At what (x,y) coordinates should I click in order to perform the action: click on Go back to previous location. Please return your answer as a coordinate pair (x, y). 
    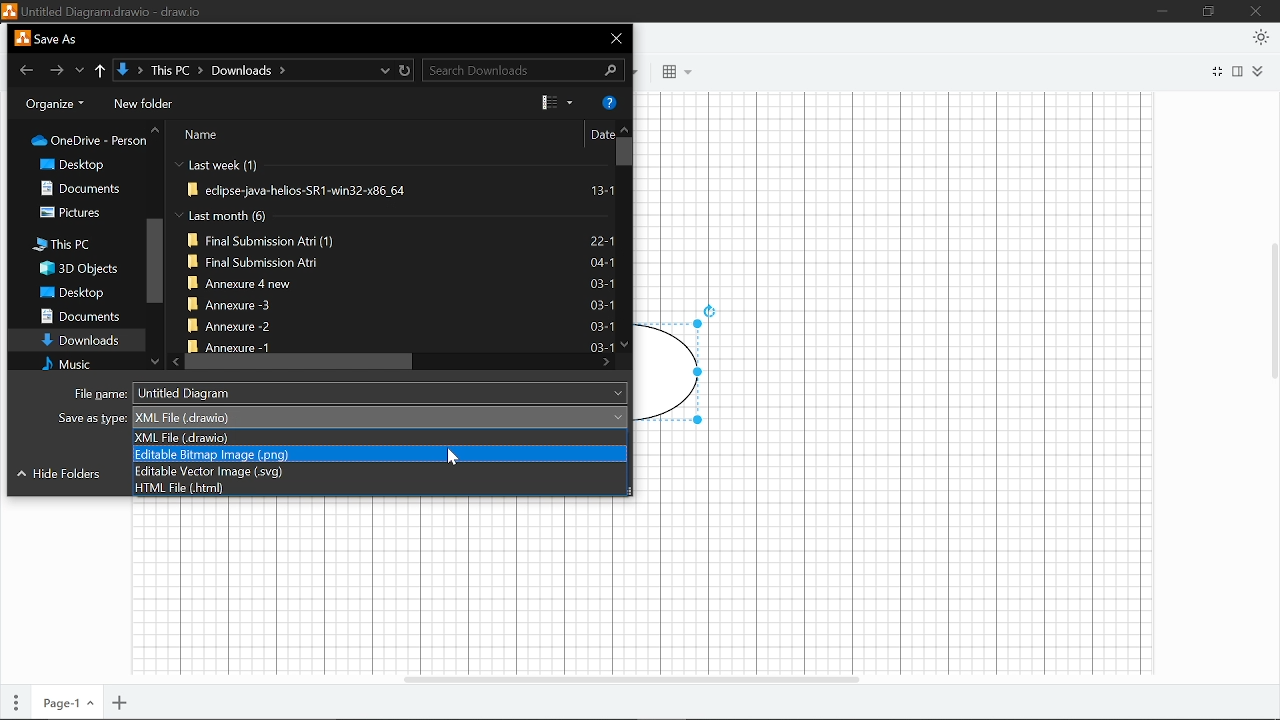
    Looking at the image, I should click on (28, 71).